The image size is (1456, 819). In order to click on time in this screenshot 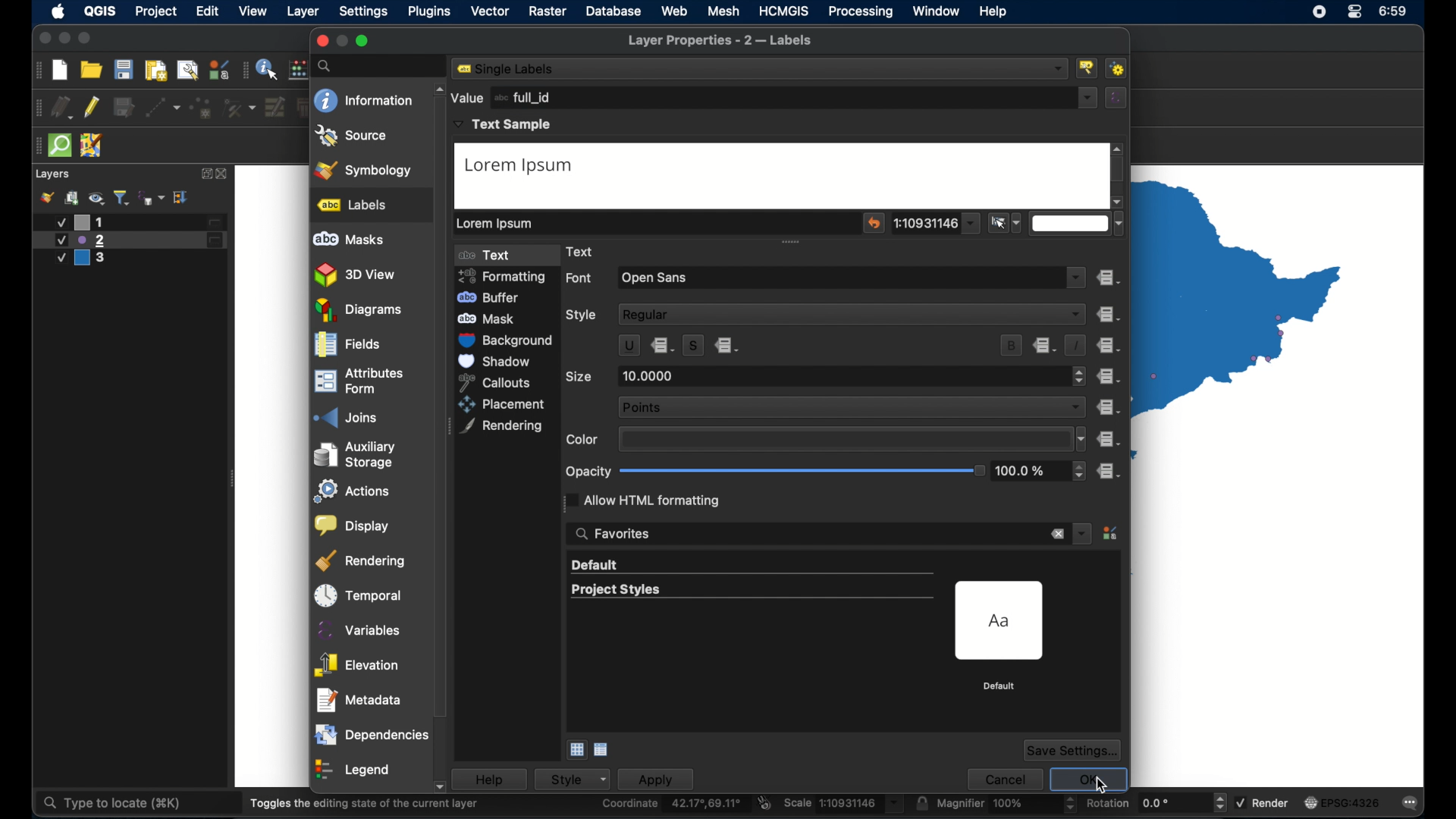, I will do `click(1400, 11)`.